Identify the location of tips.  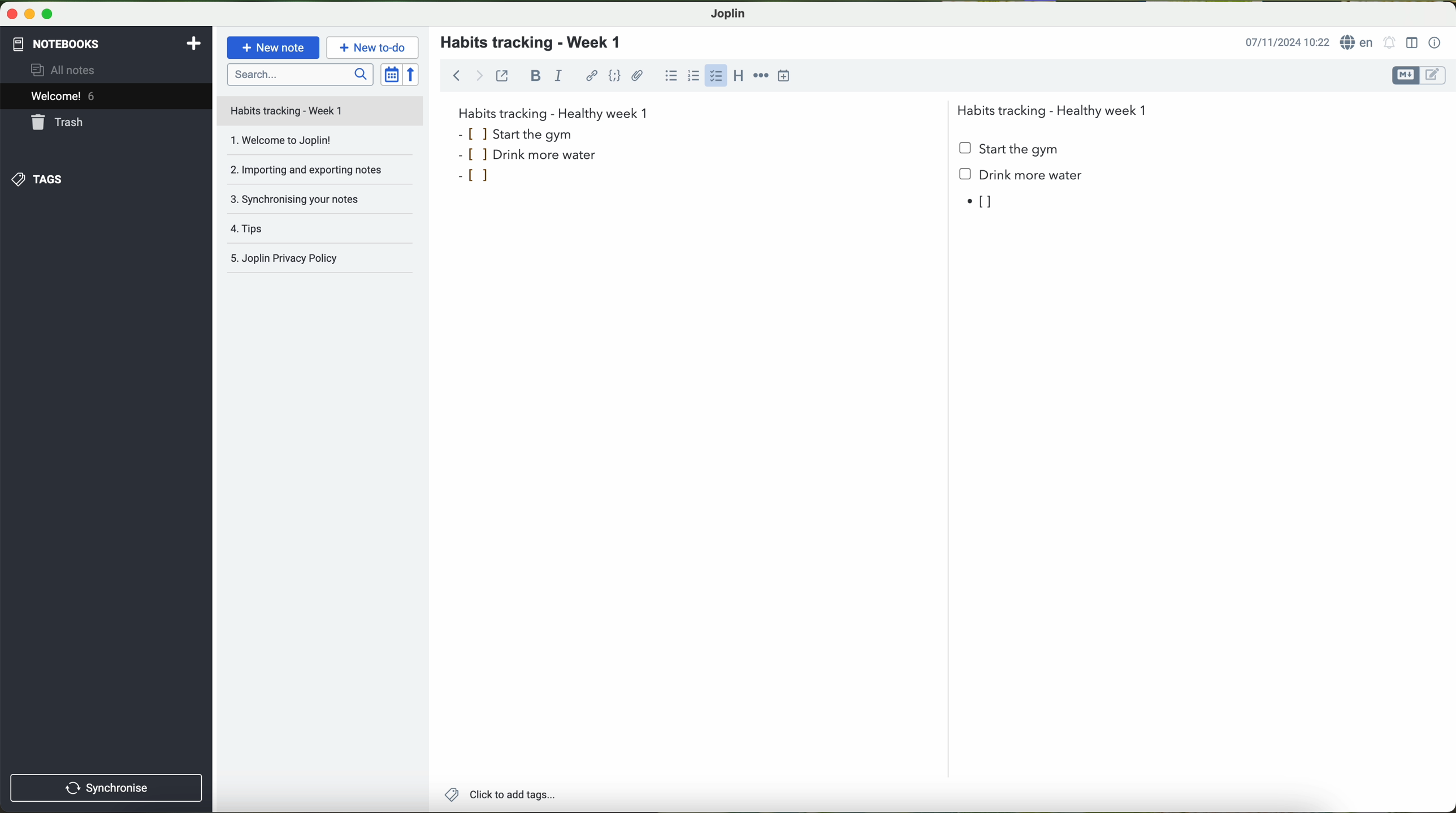
(322, 231).